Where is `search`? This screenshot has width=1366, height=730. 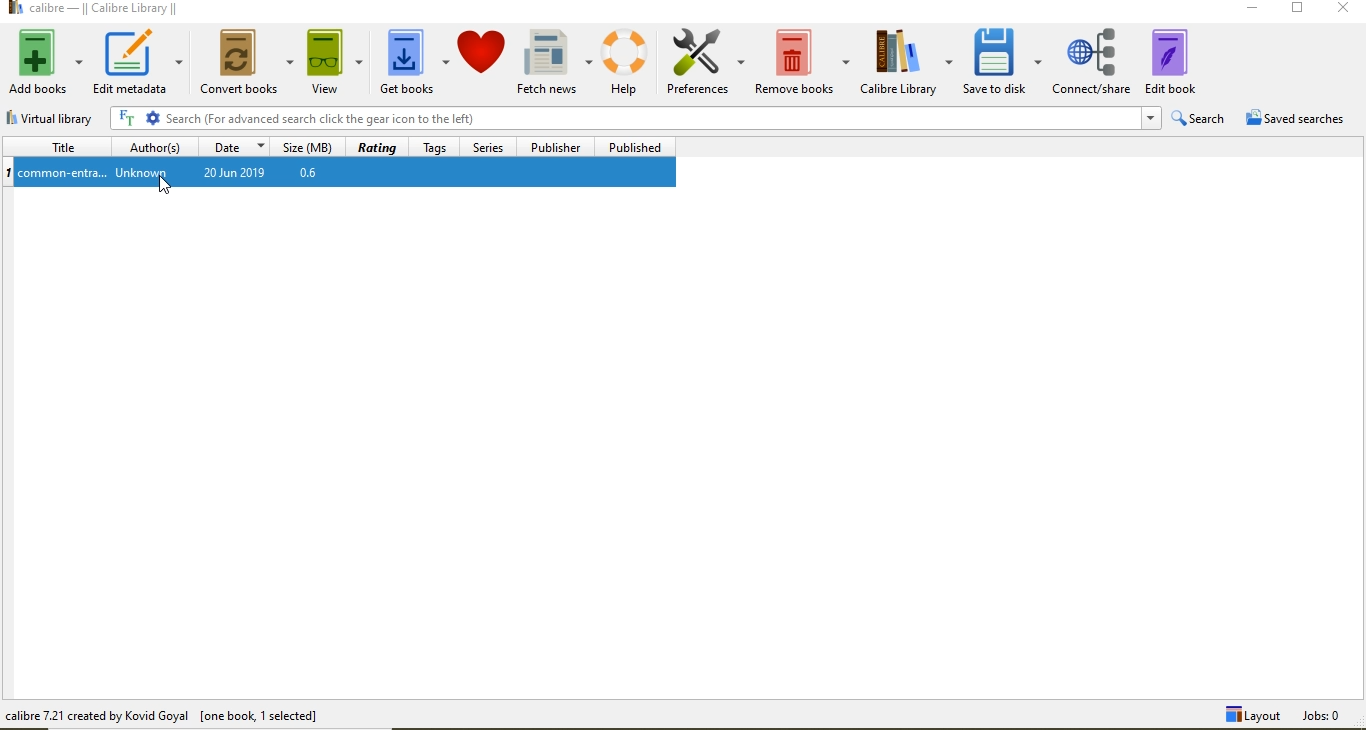
search is located at coordinates (1197, 119).